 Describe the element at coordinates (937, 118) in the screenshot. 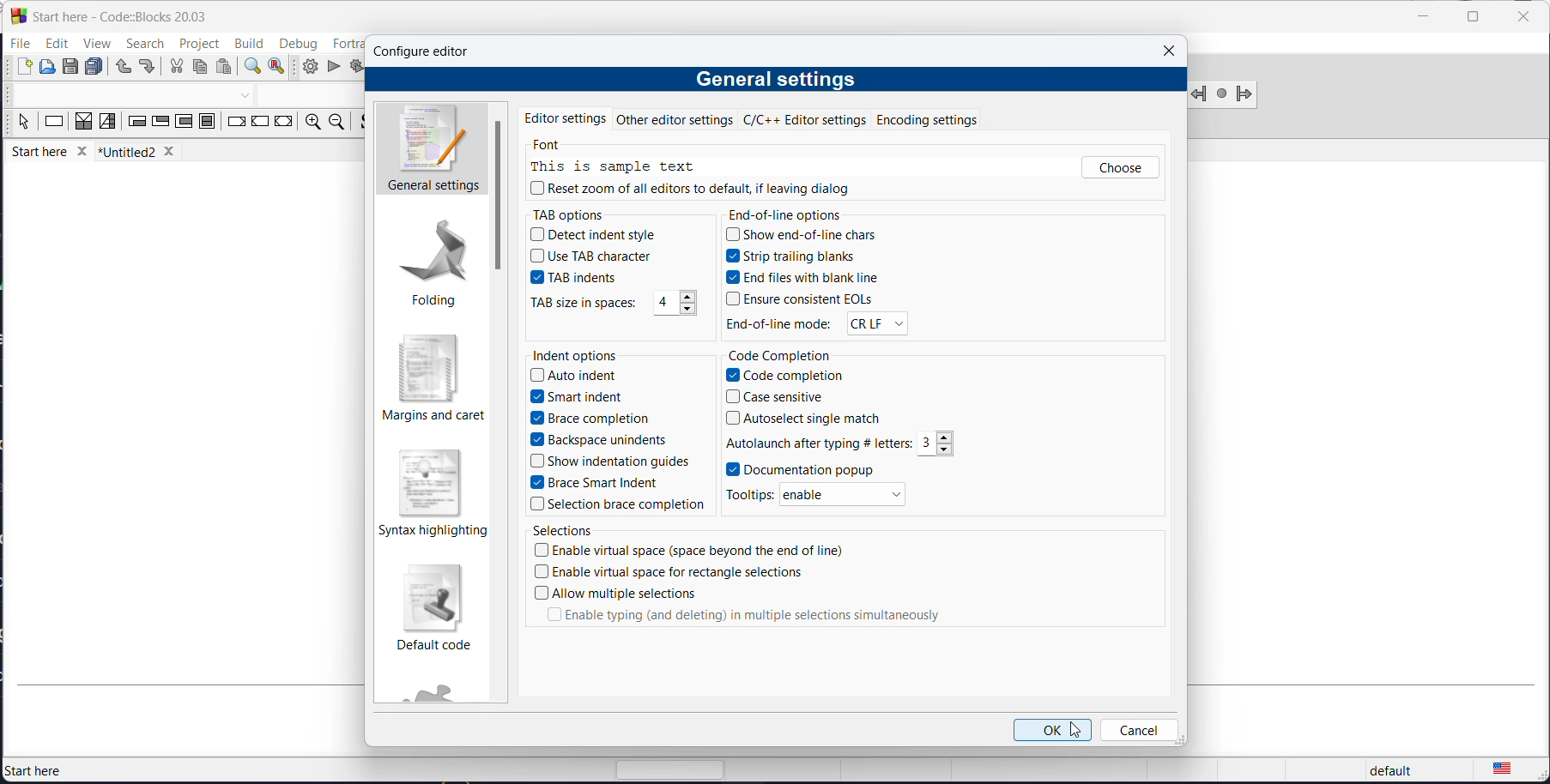

I see `encoding settings` at that location.